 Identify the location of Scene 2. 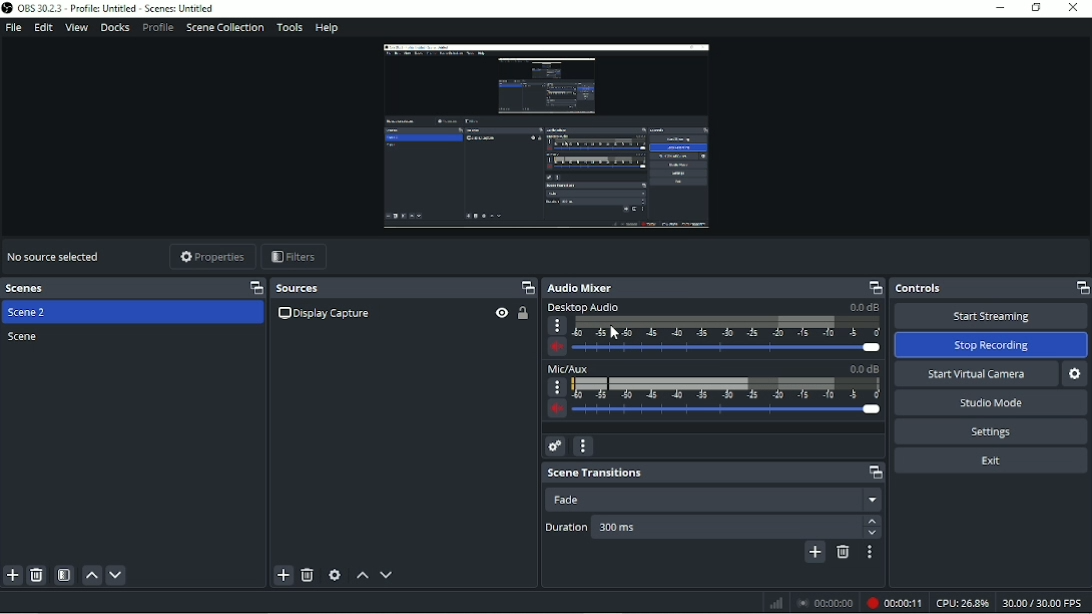
(31, 313).